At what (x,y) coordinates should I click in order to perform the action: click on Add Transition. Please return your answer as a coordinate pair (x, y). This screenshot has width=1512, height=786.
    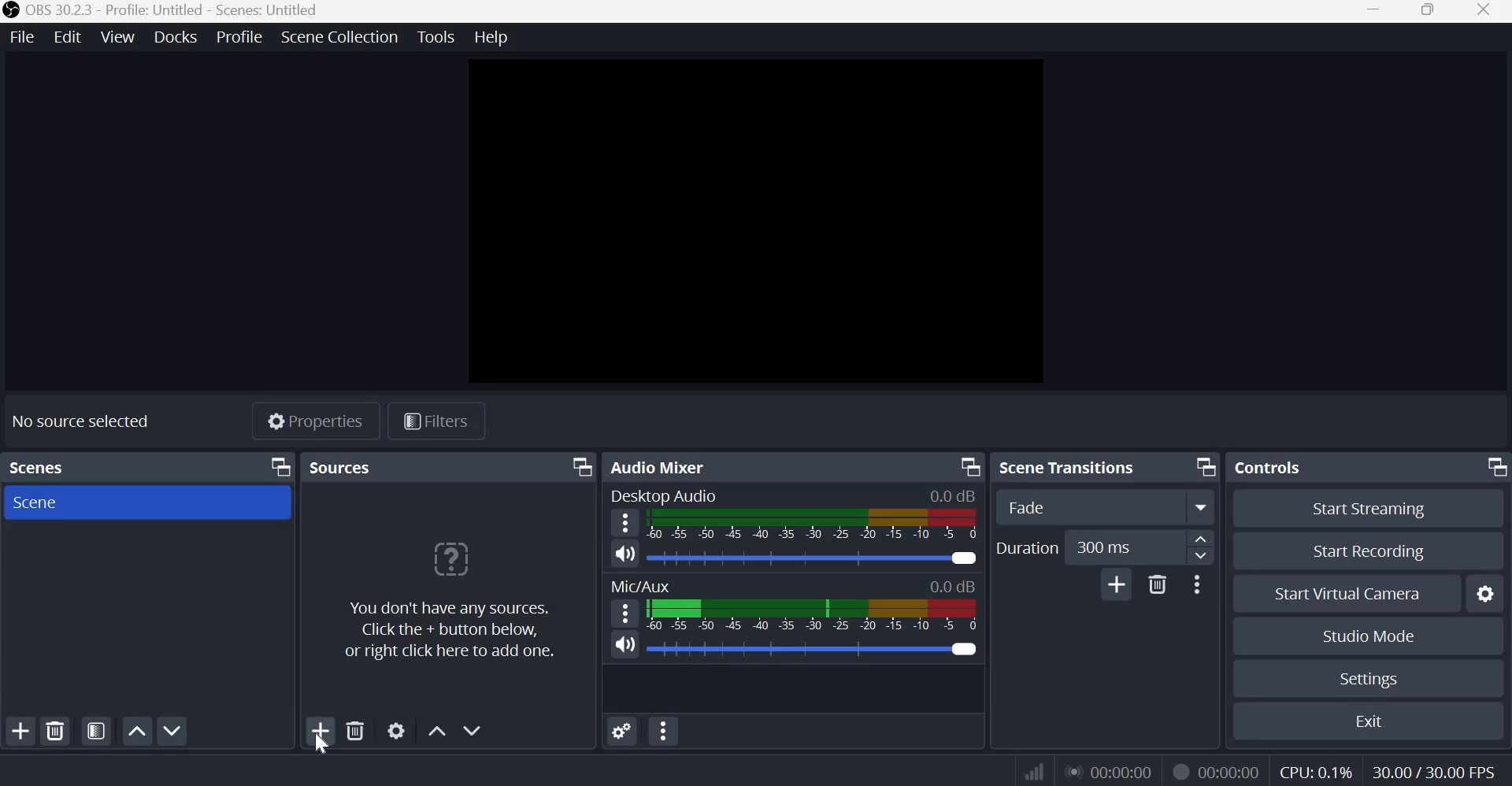
    Looking at the image, I should click on (1117, 584).